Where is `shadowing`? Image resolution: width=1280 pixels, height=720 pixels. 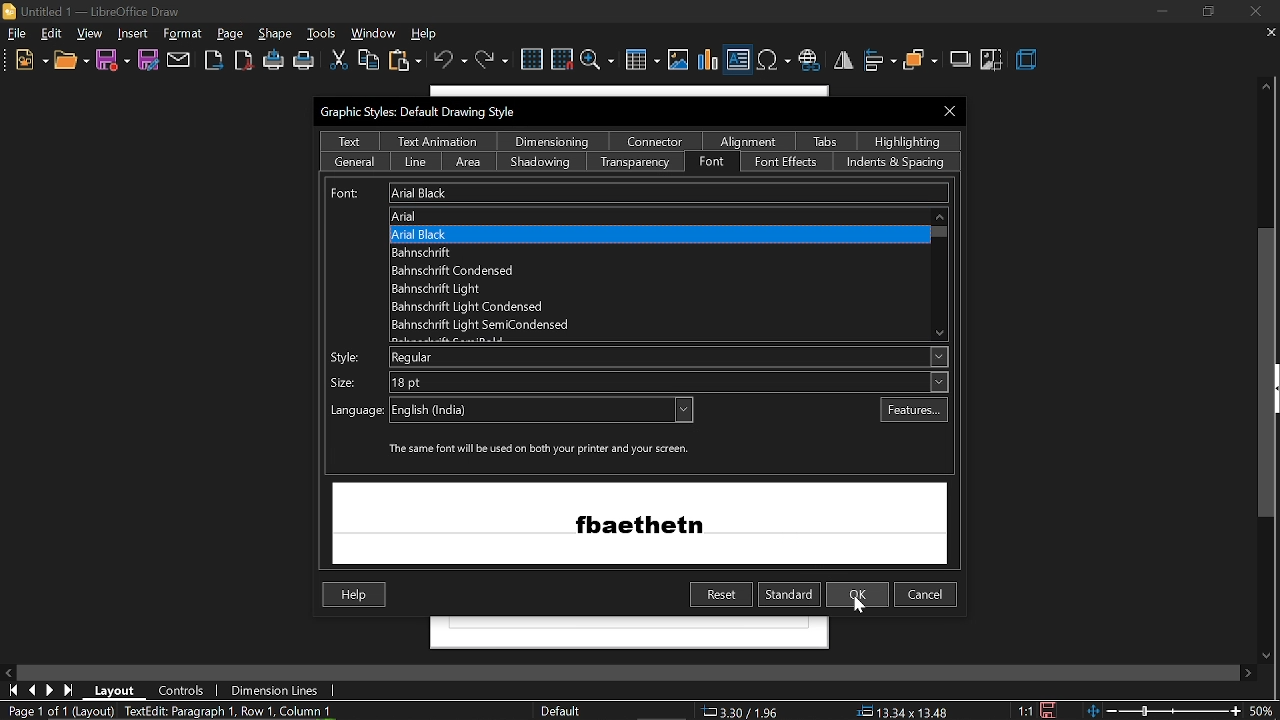
shadowing is located at coordinates (541, 161).